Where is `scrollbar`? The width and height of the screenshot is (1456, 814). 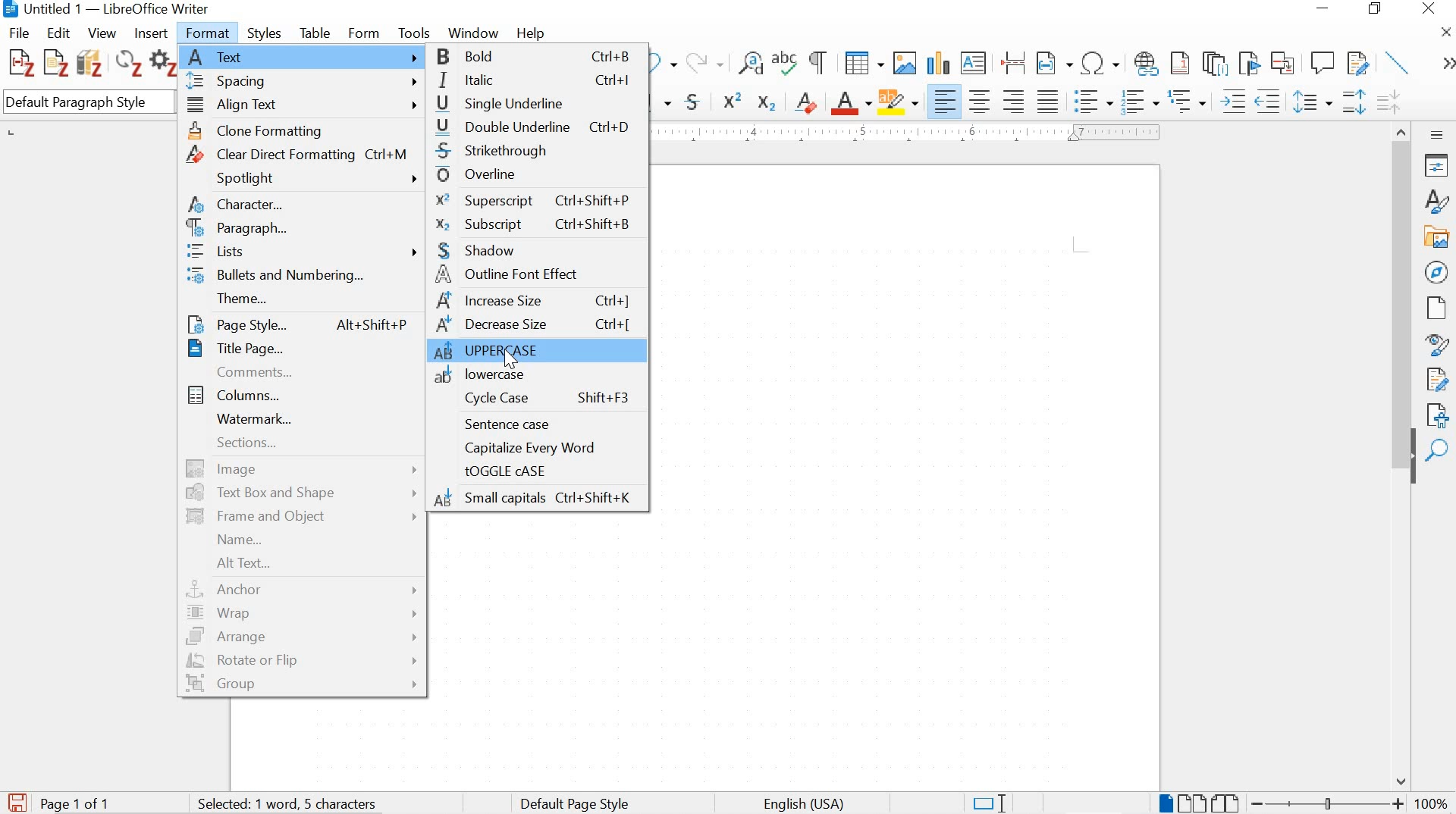 scrollbar is located at coordinates (1400, 282).